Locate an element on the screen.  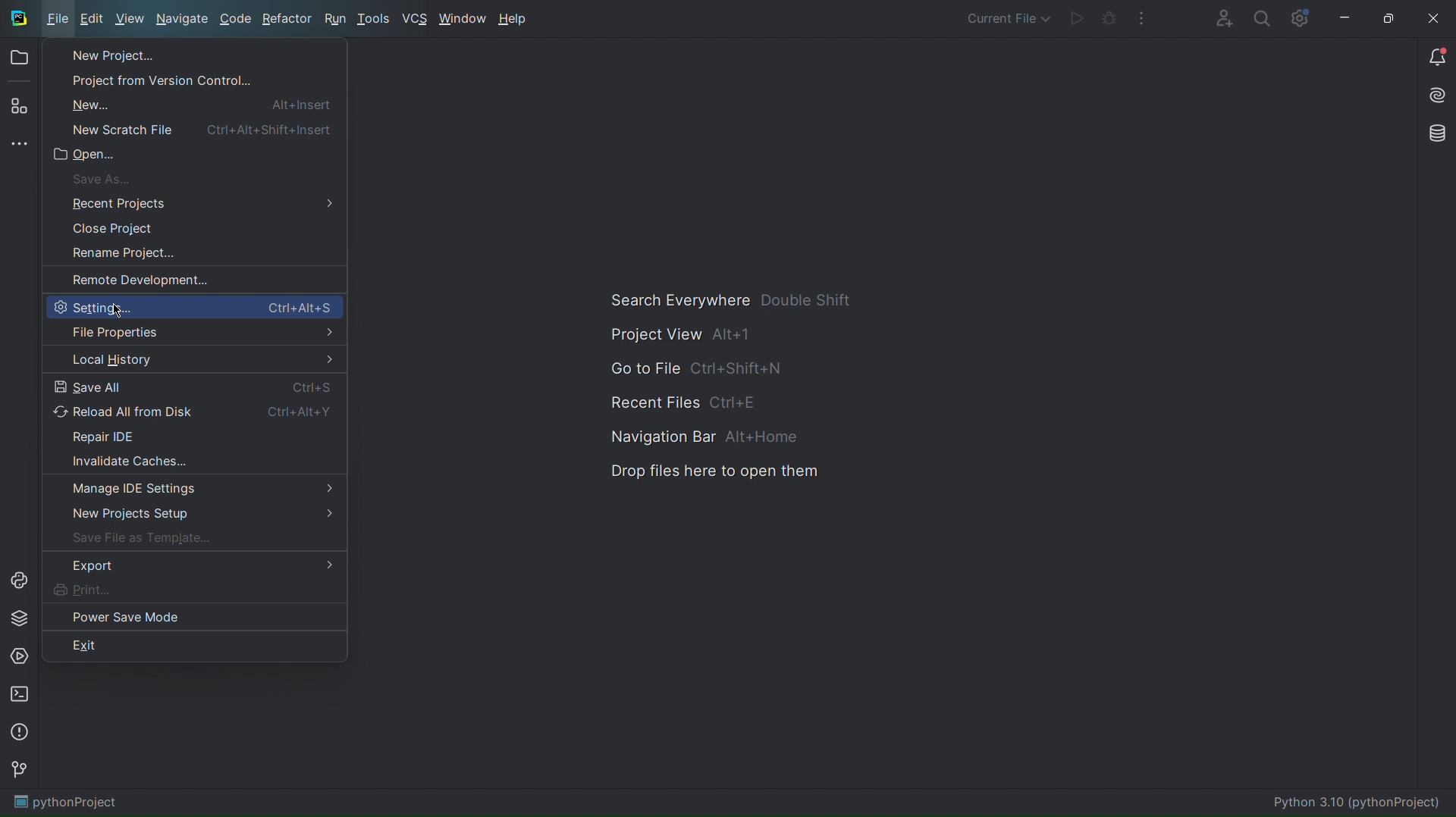
Help is located at coordinates (513, 20).